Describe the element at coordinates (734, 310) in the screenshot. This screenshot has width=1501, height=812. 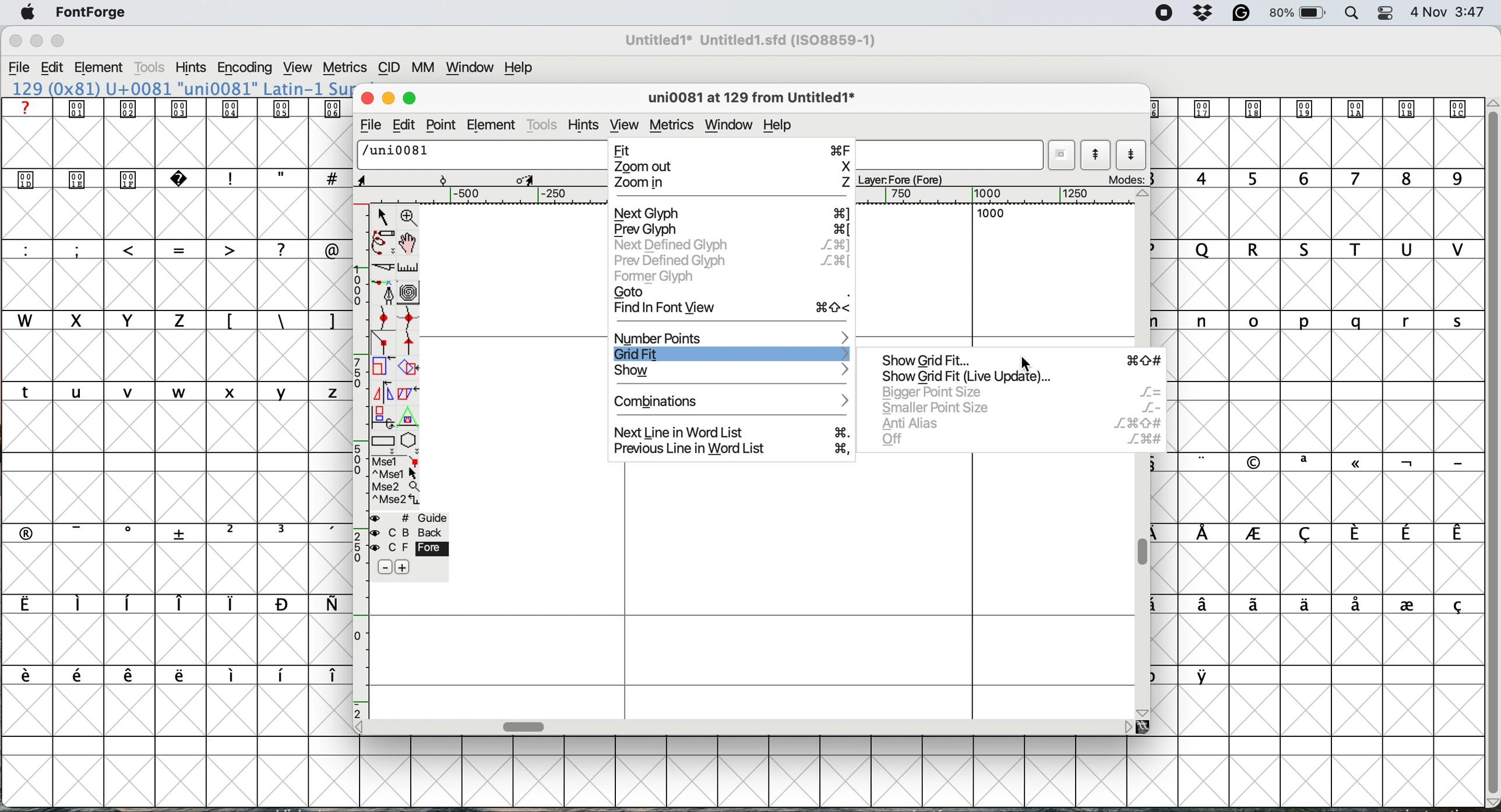
I see `find in font view` at that location.